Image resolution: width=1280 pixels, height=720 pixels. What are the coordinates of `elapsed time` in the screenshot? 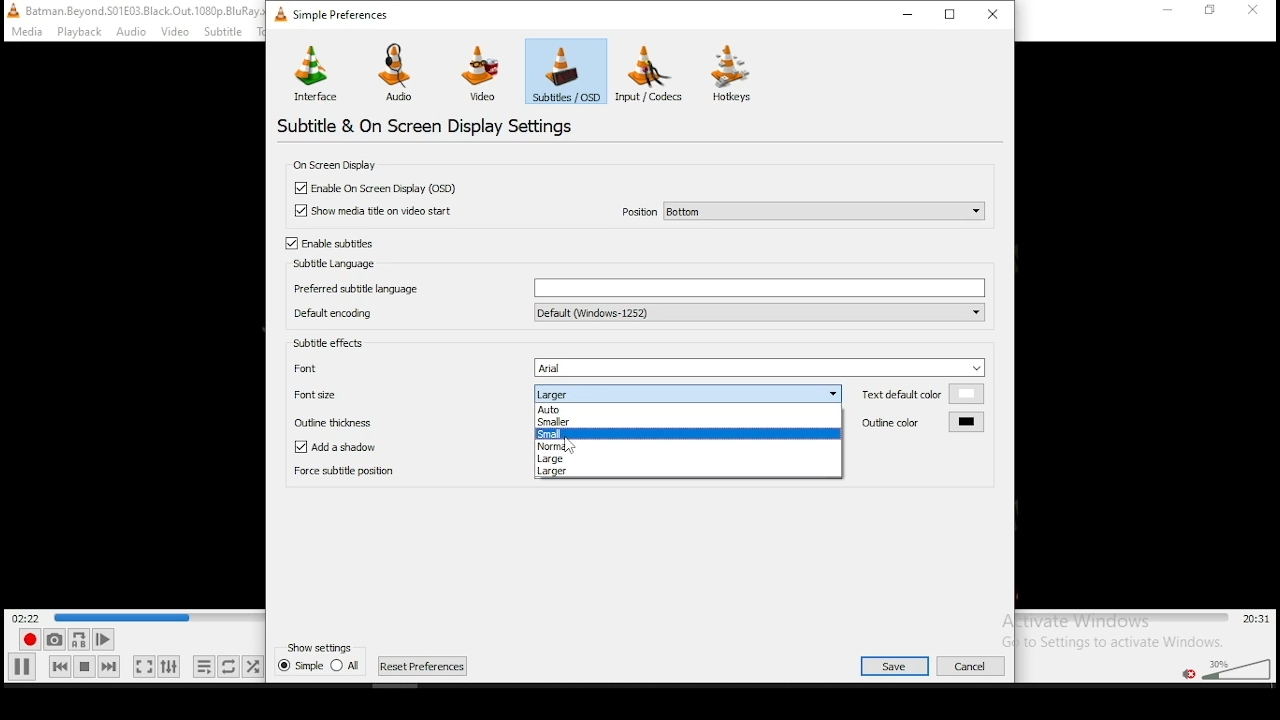 It's located at (28, 617).